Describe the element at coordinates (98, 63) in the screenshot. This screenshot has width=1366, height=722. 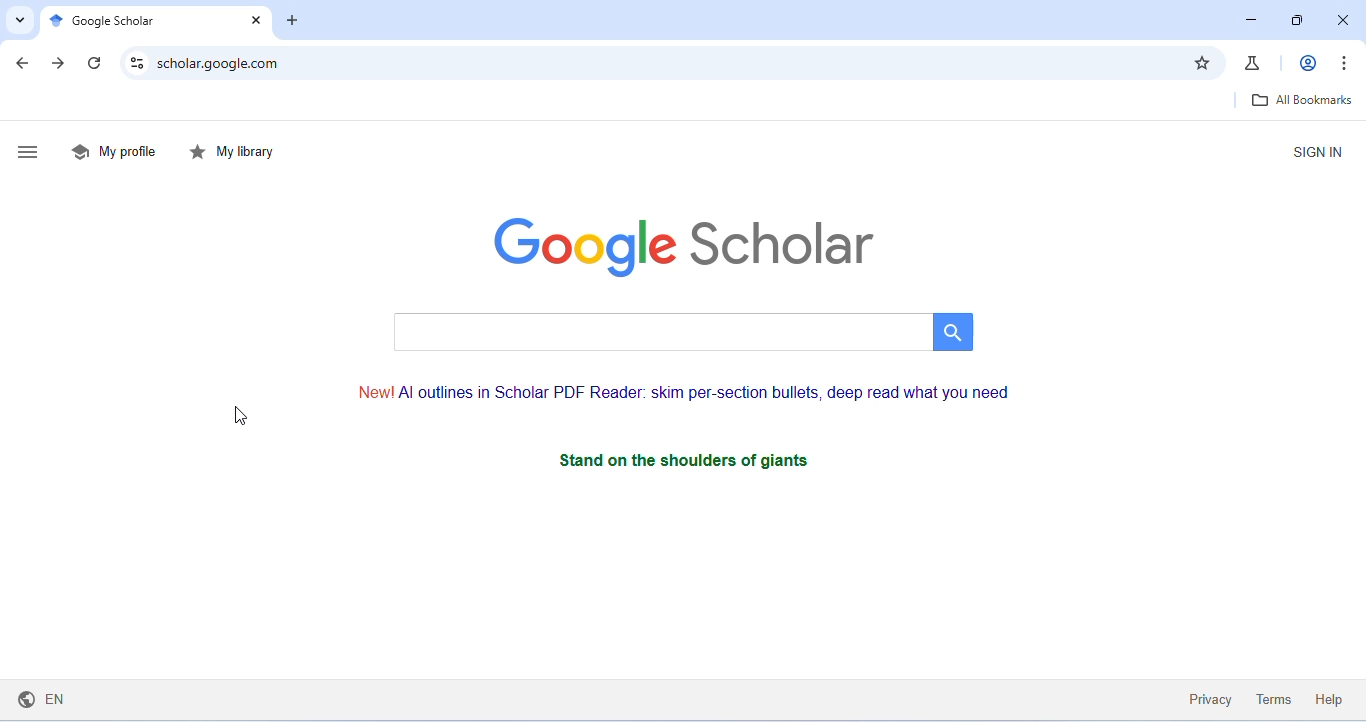
I see `refresh` at that location.